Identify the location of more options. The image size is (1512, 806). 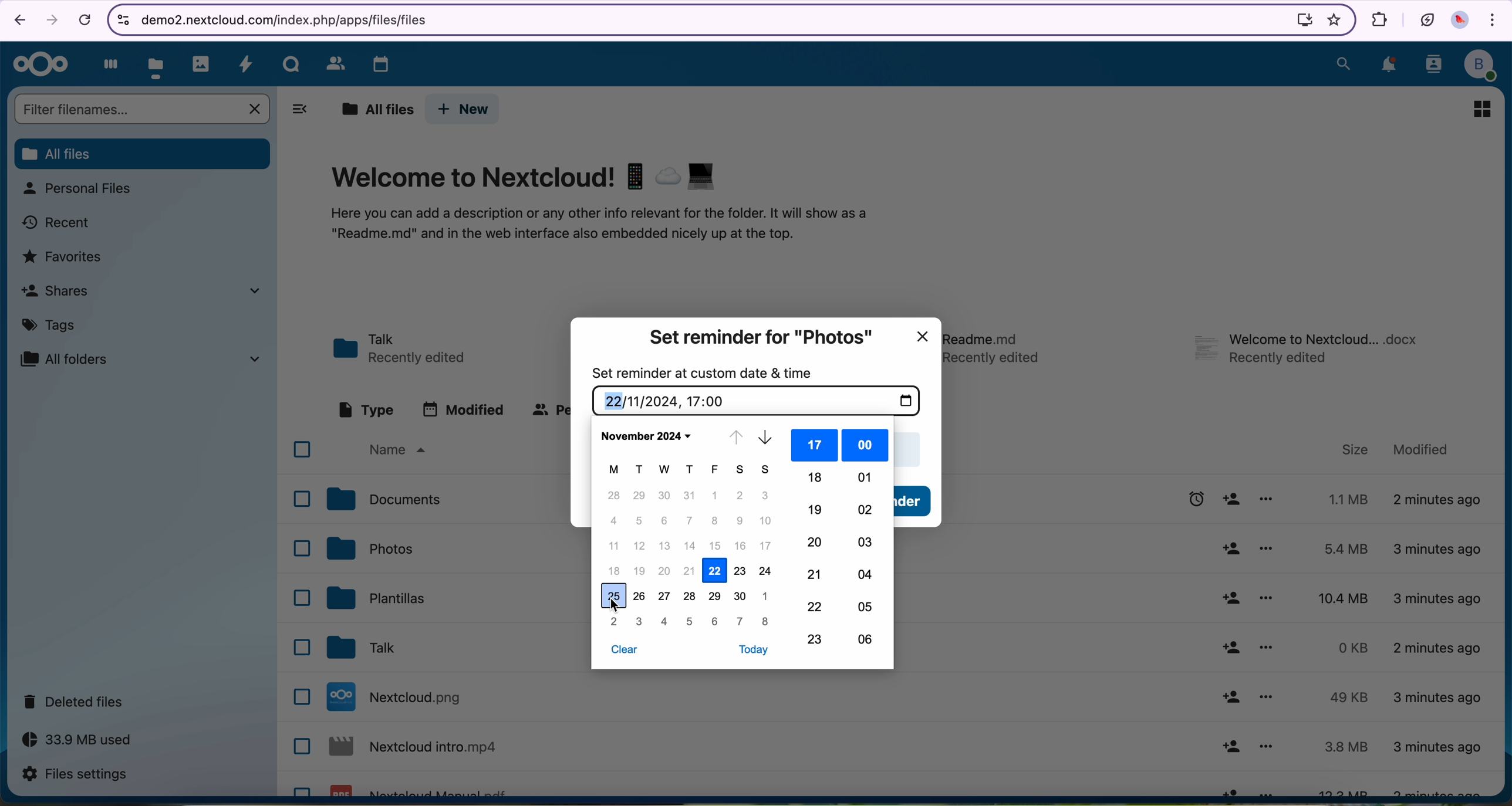
(1268, 600).